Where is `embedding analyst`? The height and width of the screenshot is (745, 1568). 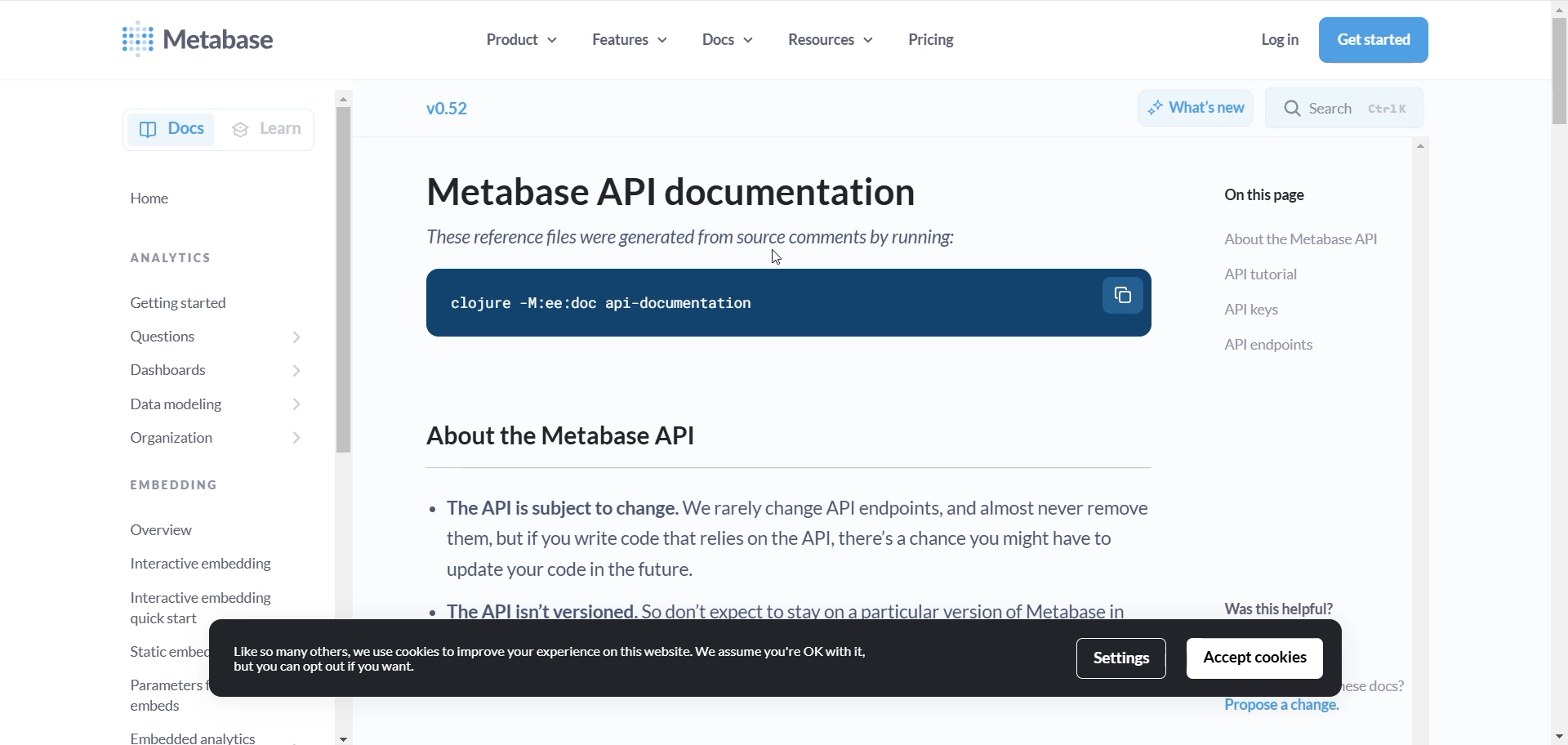 embedding analyst is located at coordinates (194, 734).